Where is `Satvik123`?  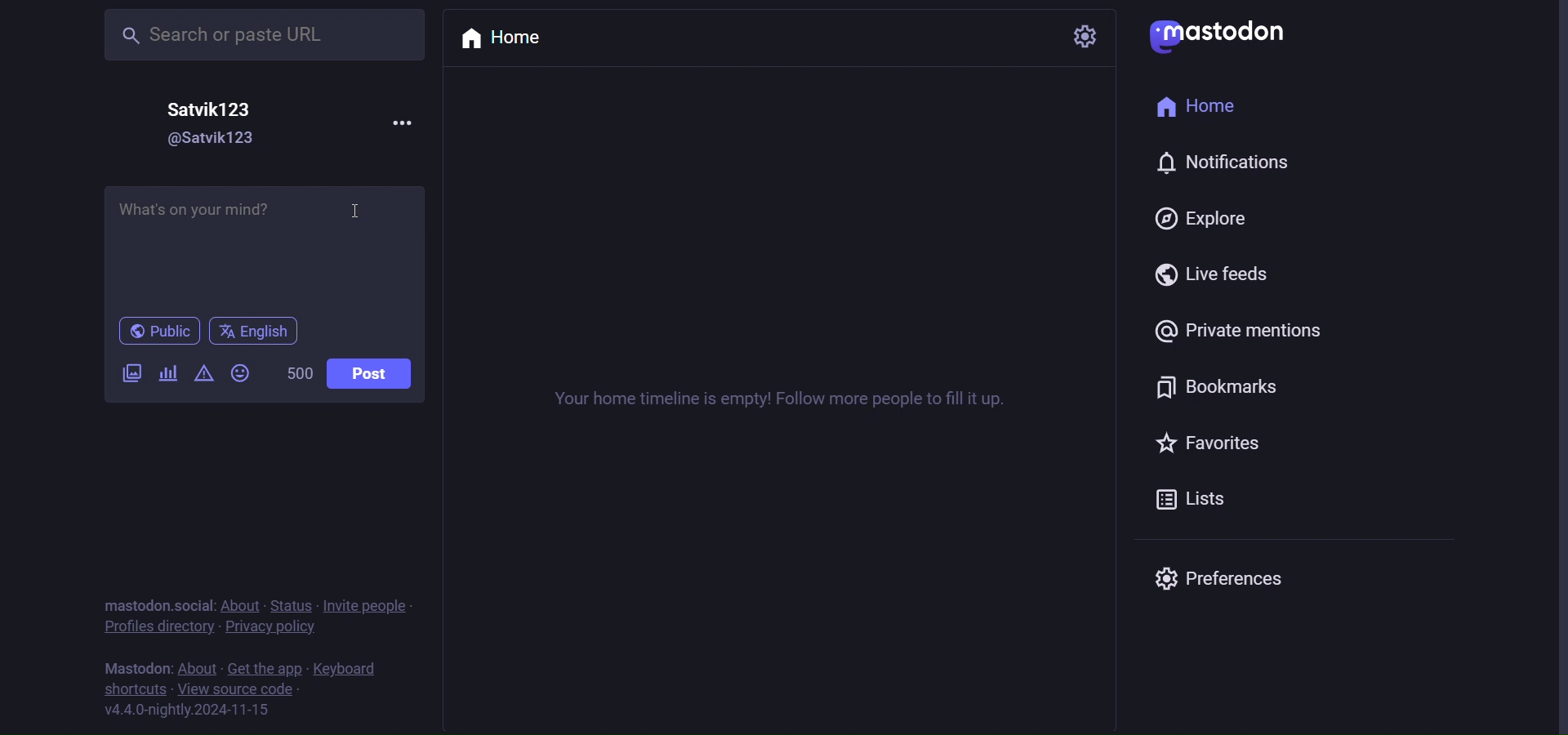
Satvik123 is located at coordinates (216, 107).